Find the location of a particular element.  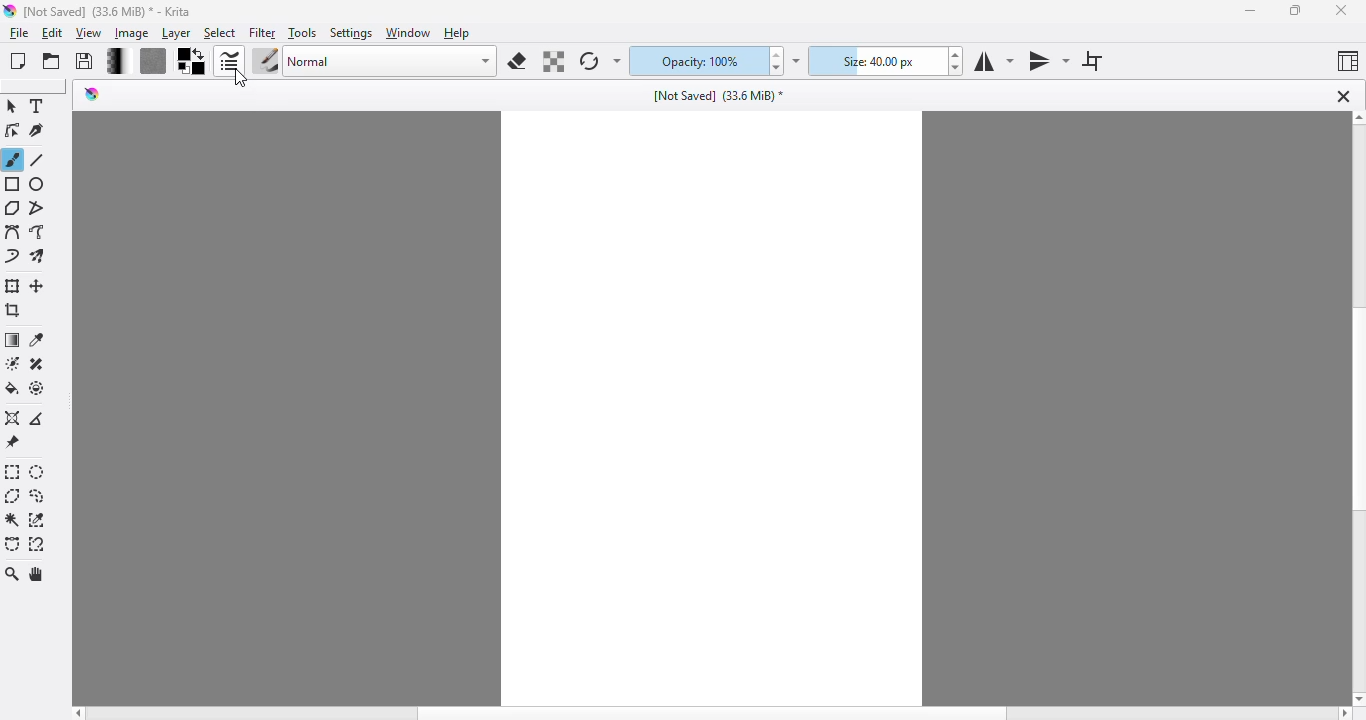

edit is located at coordinates (54, 33).